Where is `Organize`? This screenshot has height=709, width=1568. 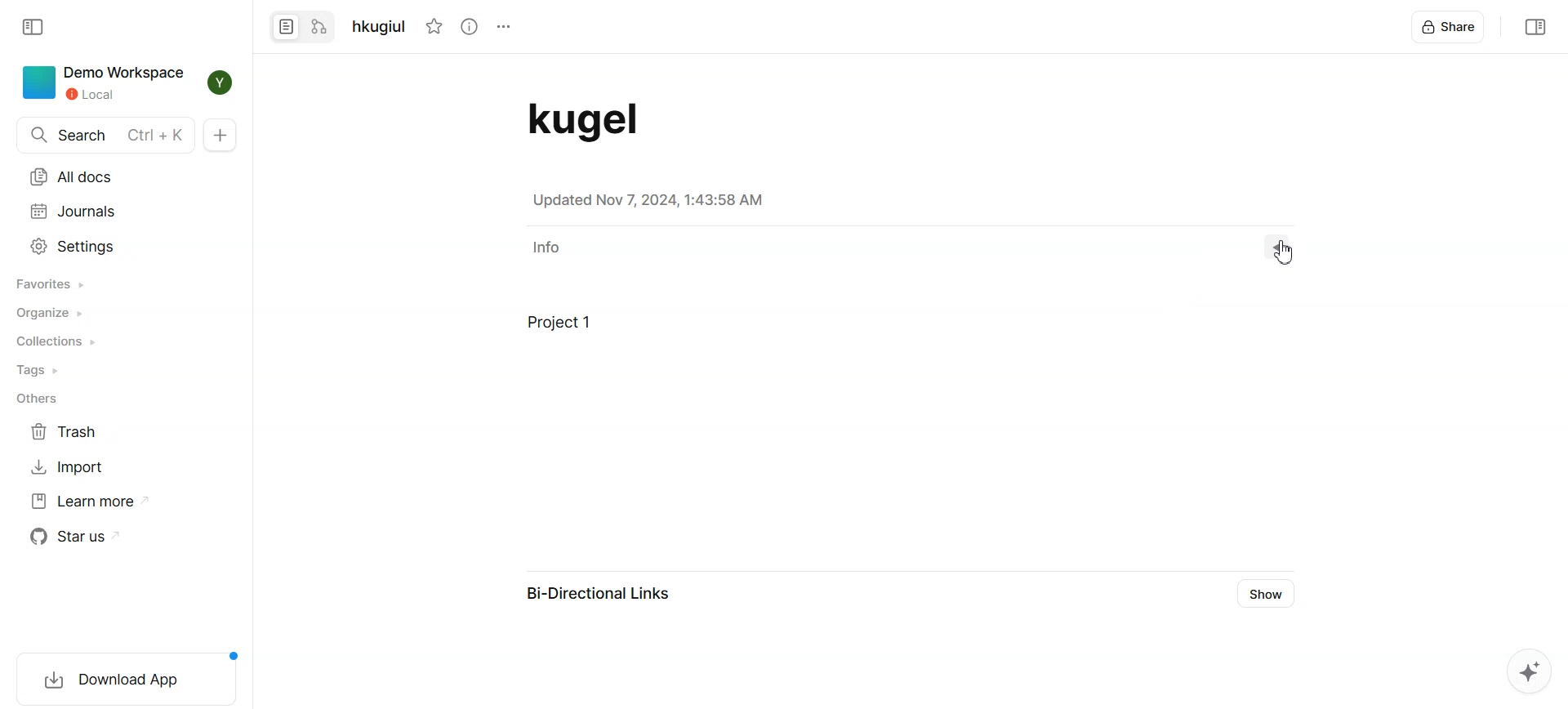 Organize is located at coordinates (49, 313).